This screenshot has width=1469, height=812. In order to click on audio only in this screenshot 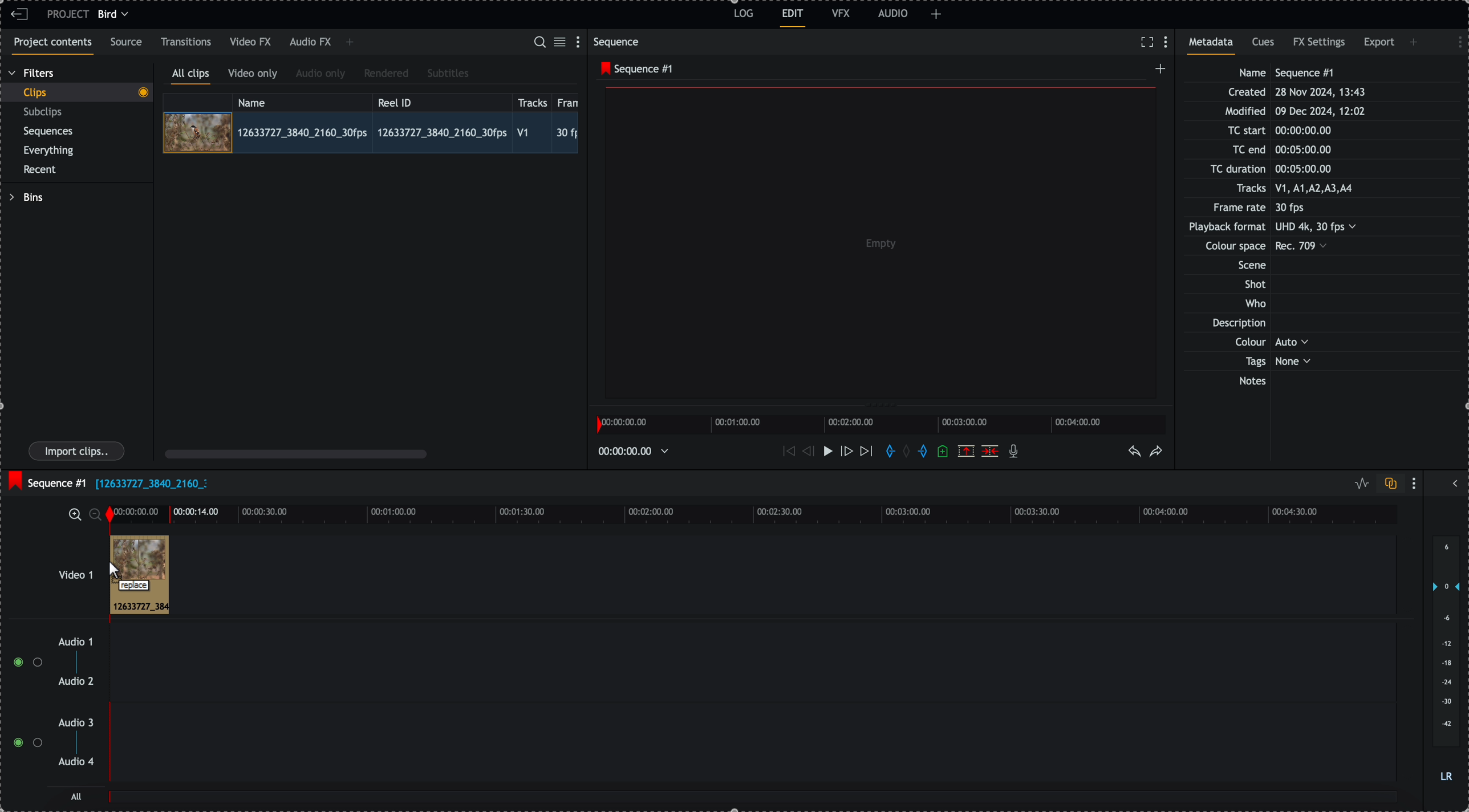, I will do `click(321, 75)`.